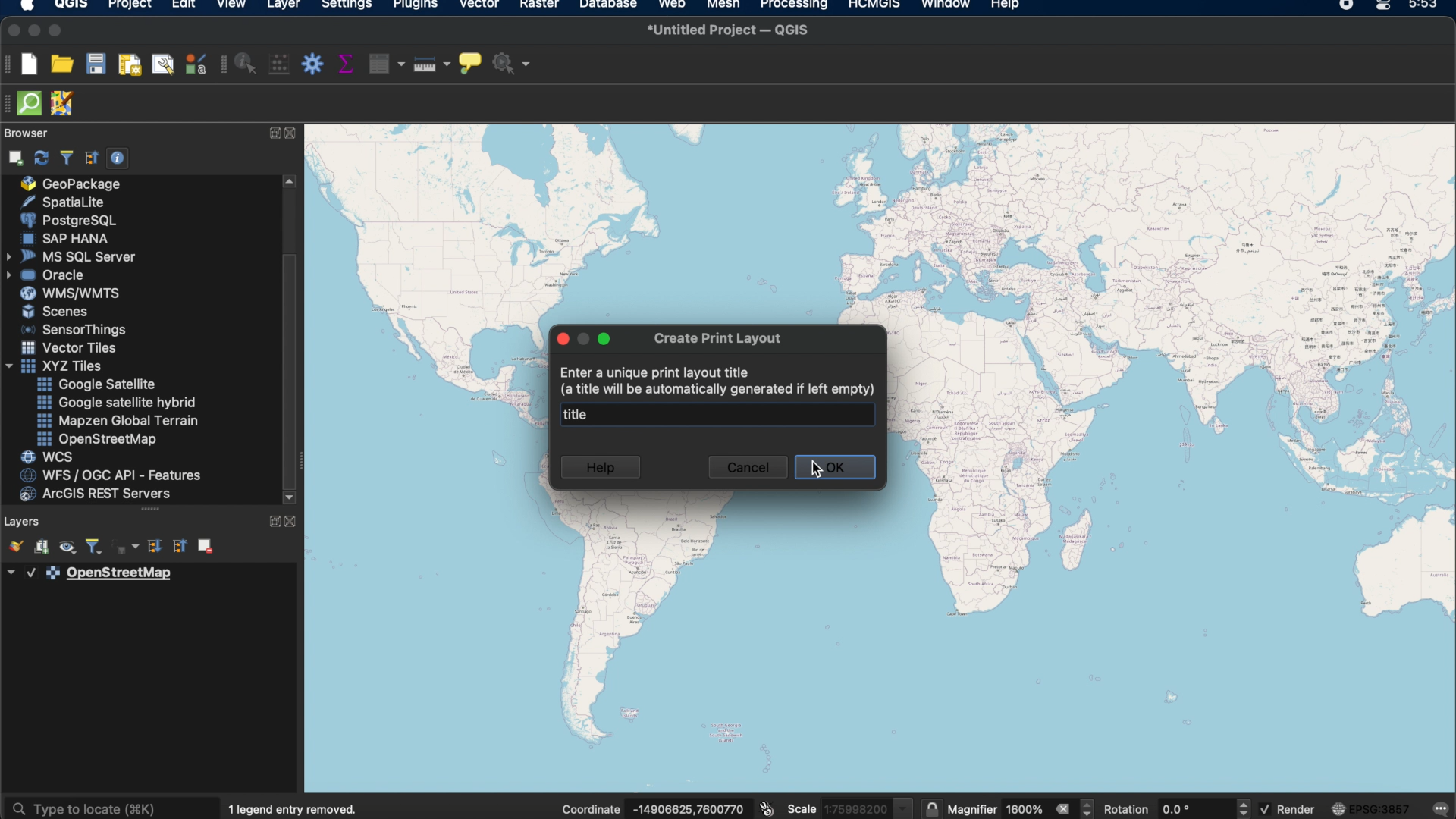  What do you see at coordinates (582, 339) in the screenshot?
I see `inactive minimize button` at bounding box center [582, 339].